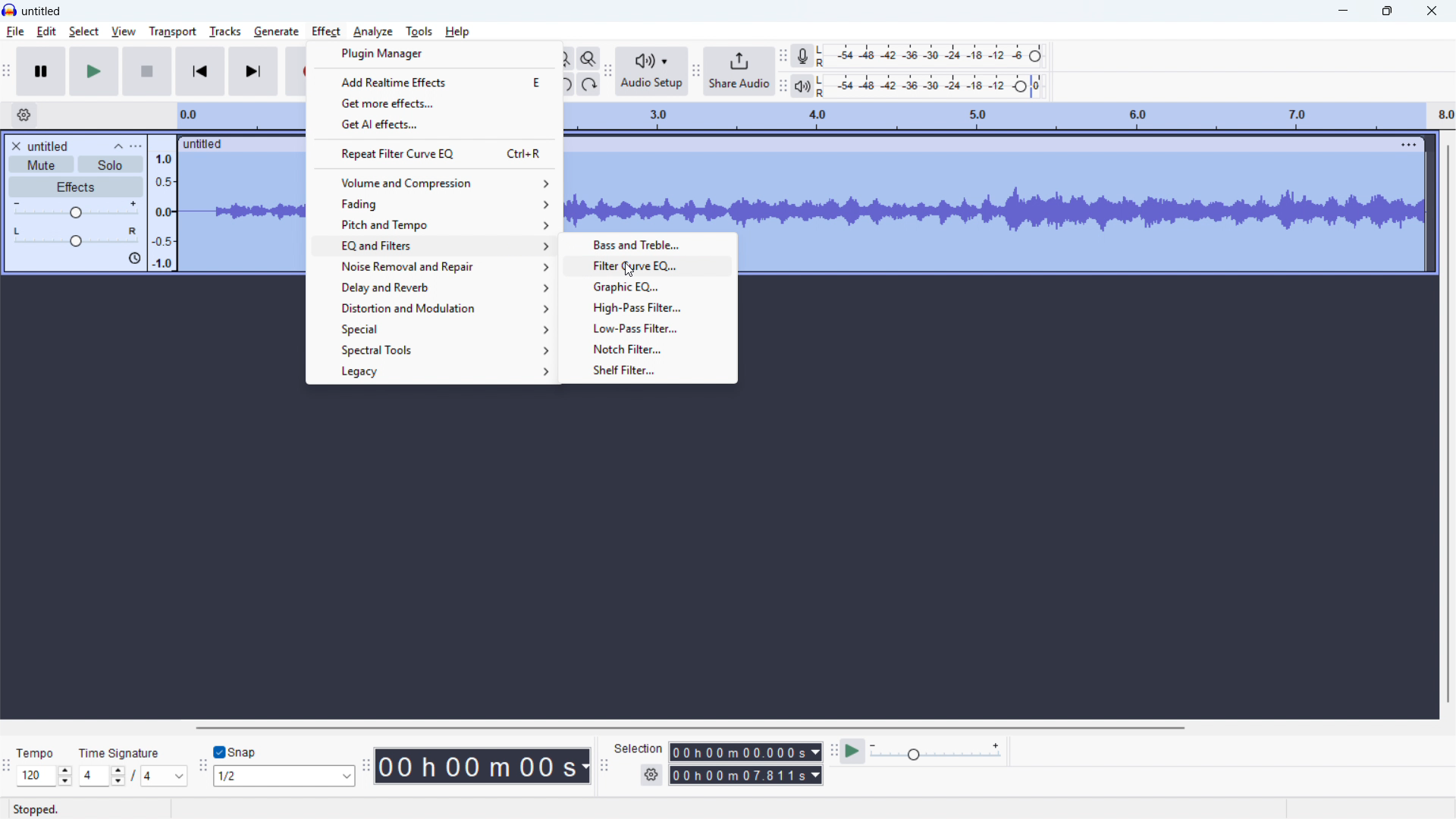 The height and width of the screenshot is (819, 1456). Describe the element at coordinates (485, 766) in the screenshot. I see `Timestamp ` at that location.